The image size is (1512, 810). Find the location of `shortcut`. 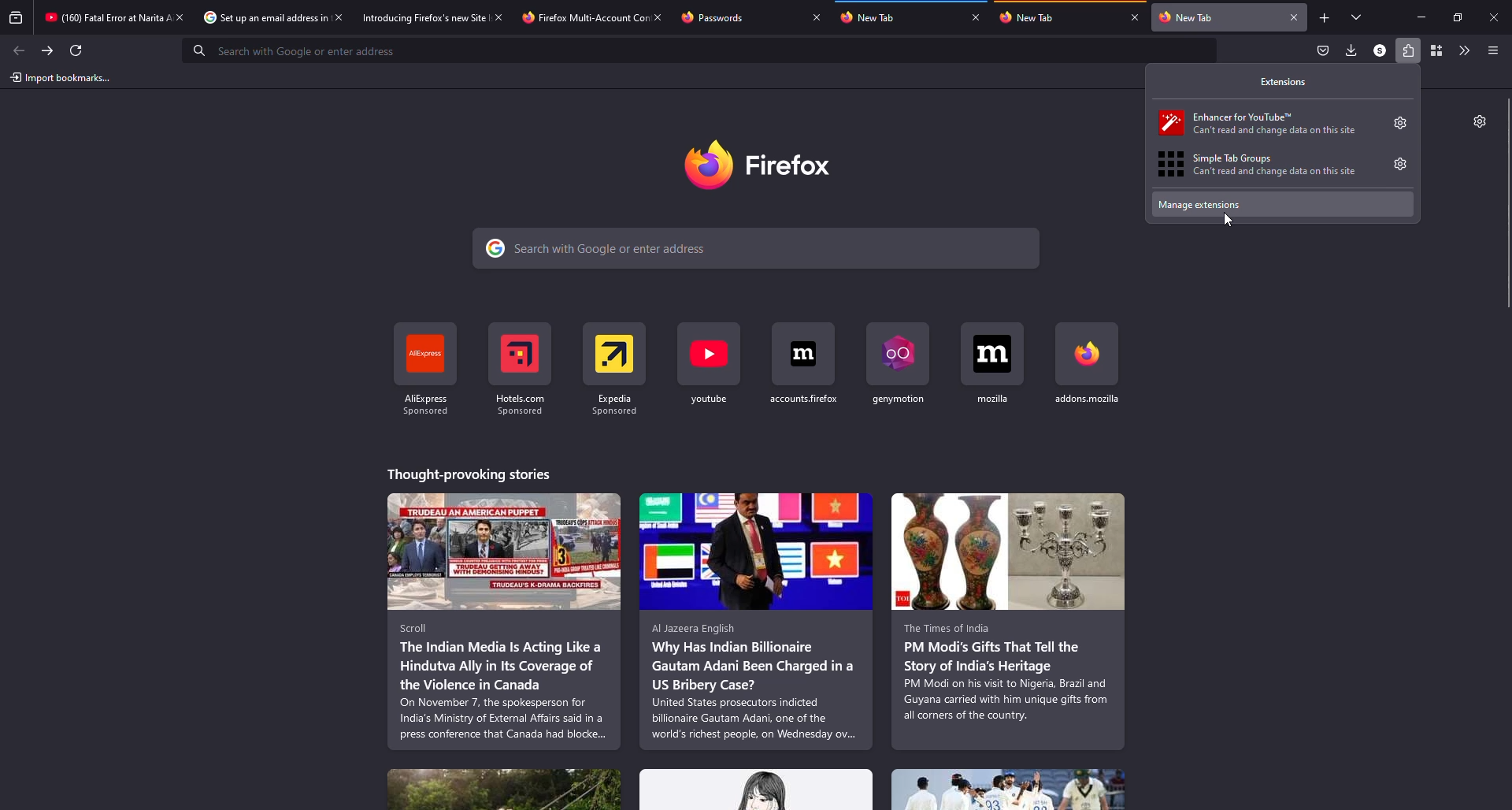

shortcut is located at coordinates (806, 371).